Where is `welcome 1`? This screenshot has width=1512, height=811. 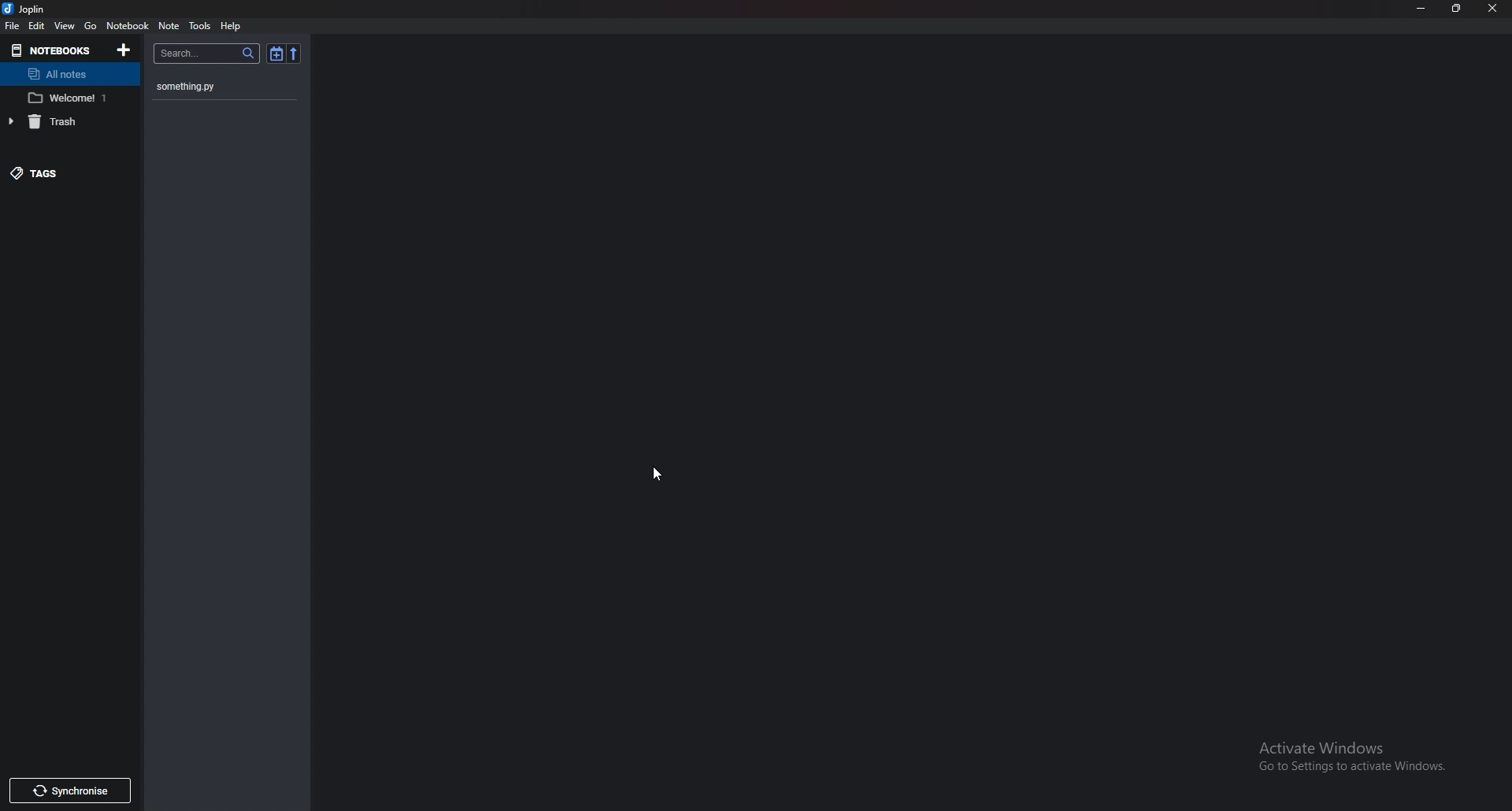
welcome 1 is located at coordinates (68, 98).